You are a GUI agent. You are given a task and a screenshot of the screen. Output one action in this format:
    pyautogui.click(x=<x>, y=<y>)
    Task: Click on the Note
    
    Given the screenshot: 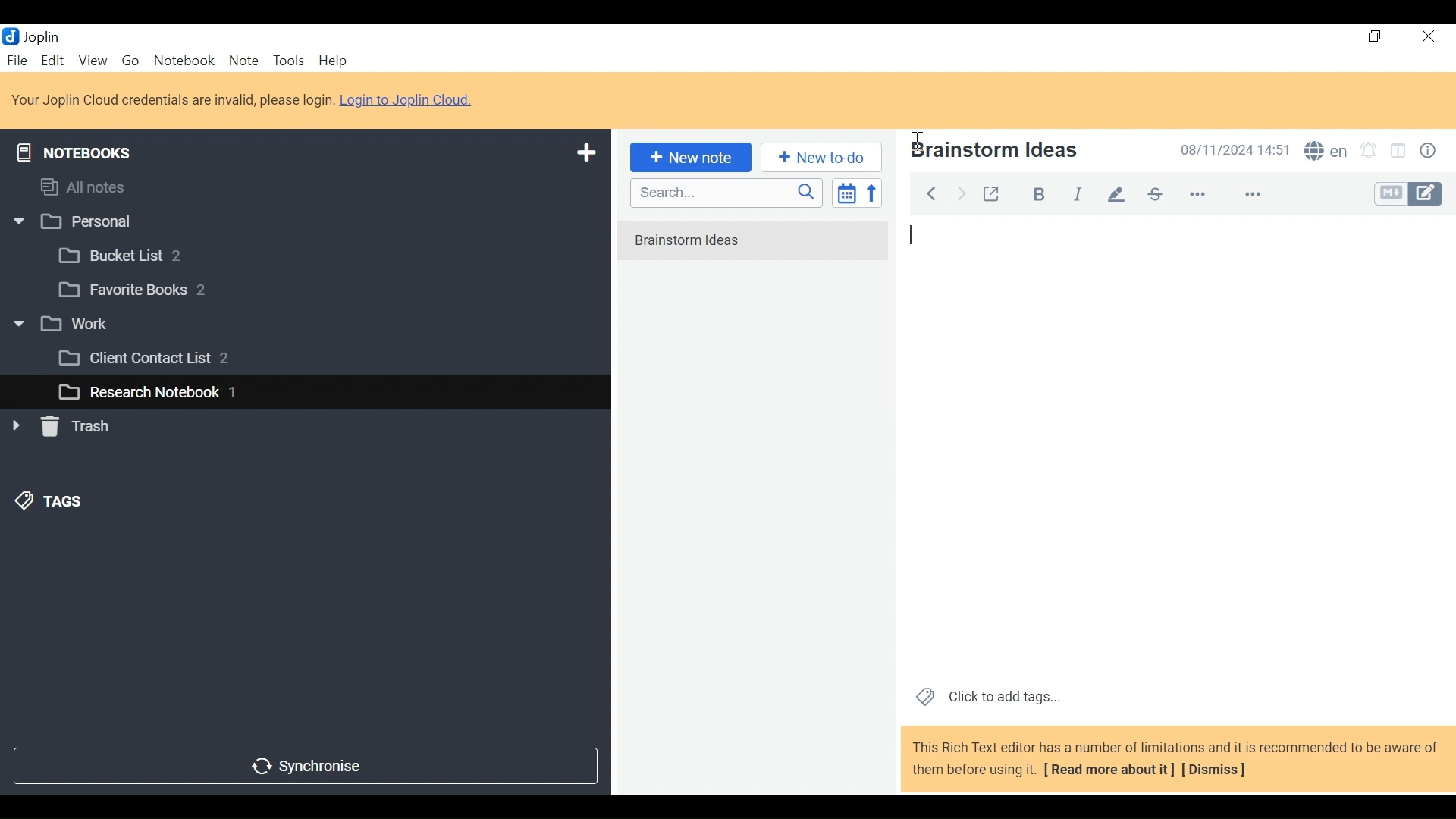 What is the action you would take?
    pyautogui.click(x=243, y=60)
    